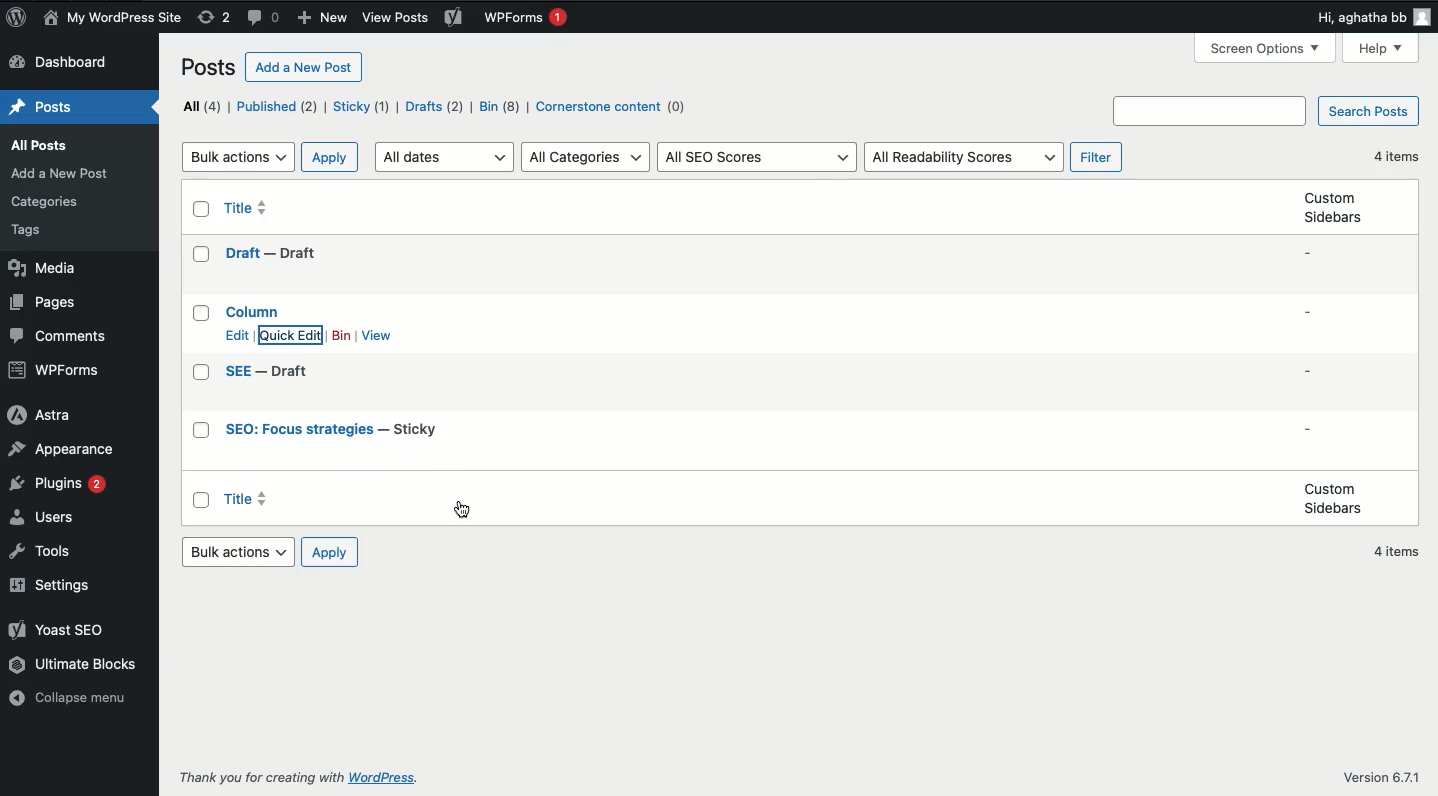  I want to click on draft -- draft, so click(270, 254).